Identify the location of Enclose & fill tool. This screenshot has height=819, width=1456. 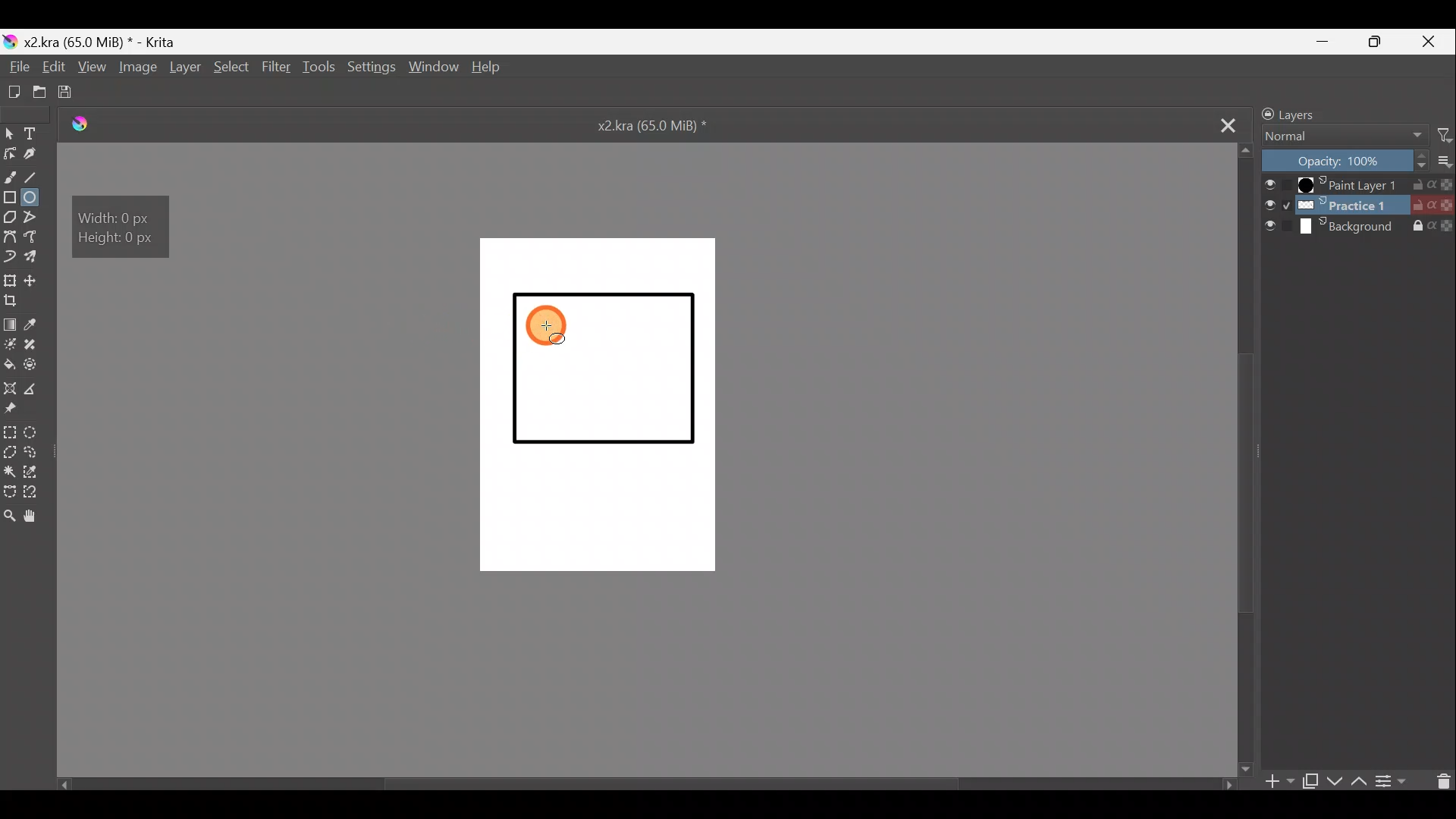
(34, 365).